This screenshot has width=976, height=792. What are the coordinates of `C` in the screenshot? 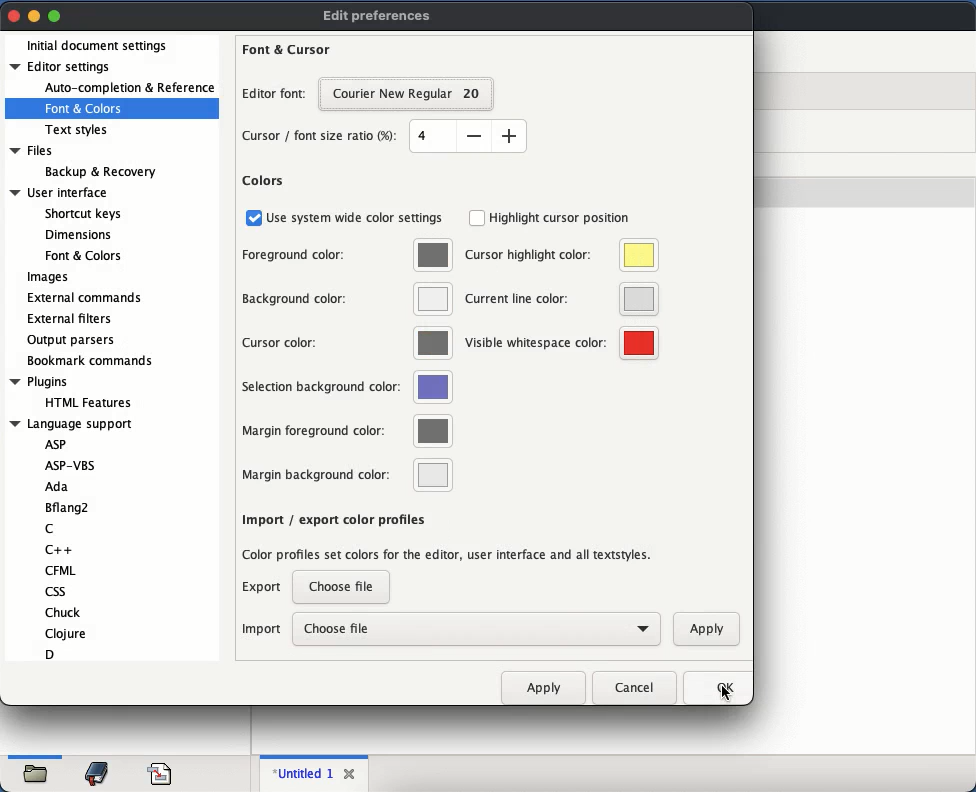 It's located at (51, 528).